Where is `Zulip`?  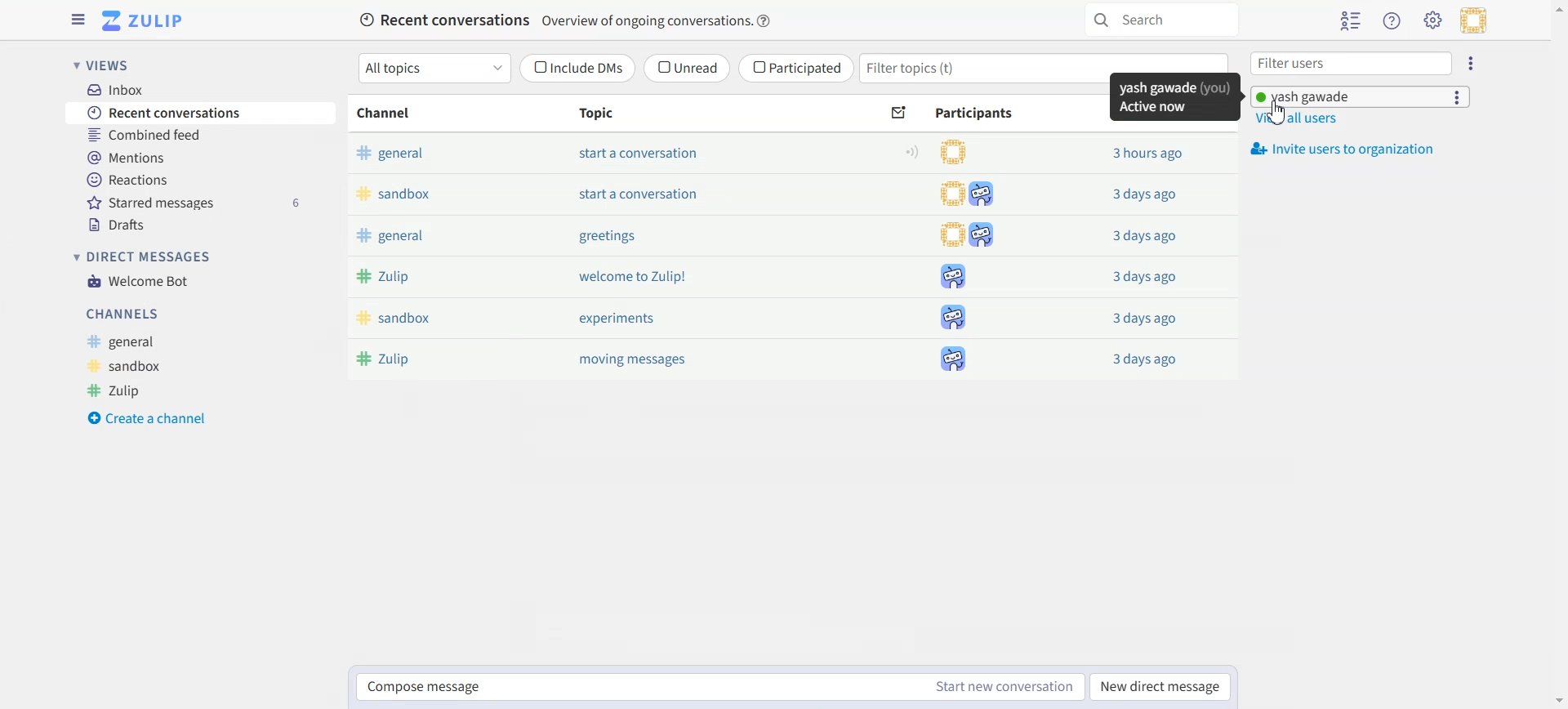 Zulip is located at coordinates (394, 359).